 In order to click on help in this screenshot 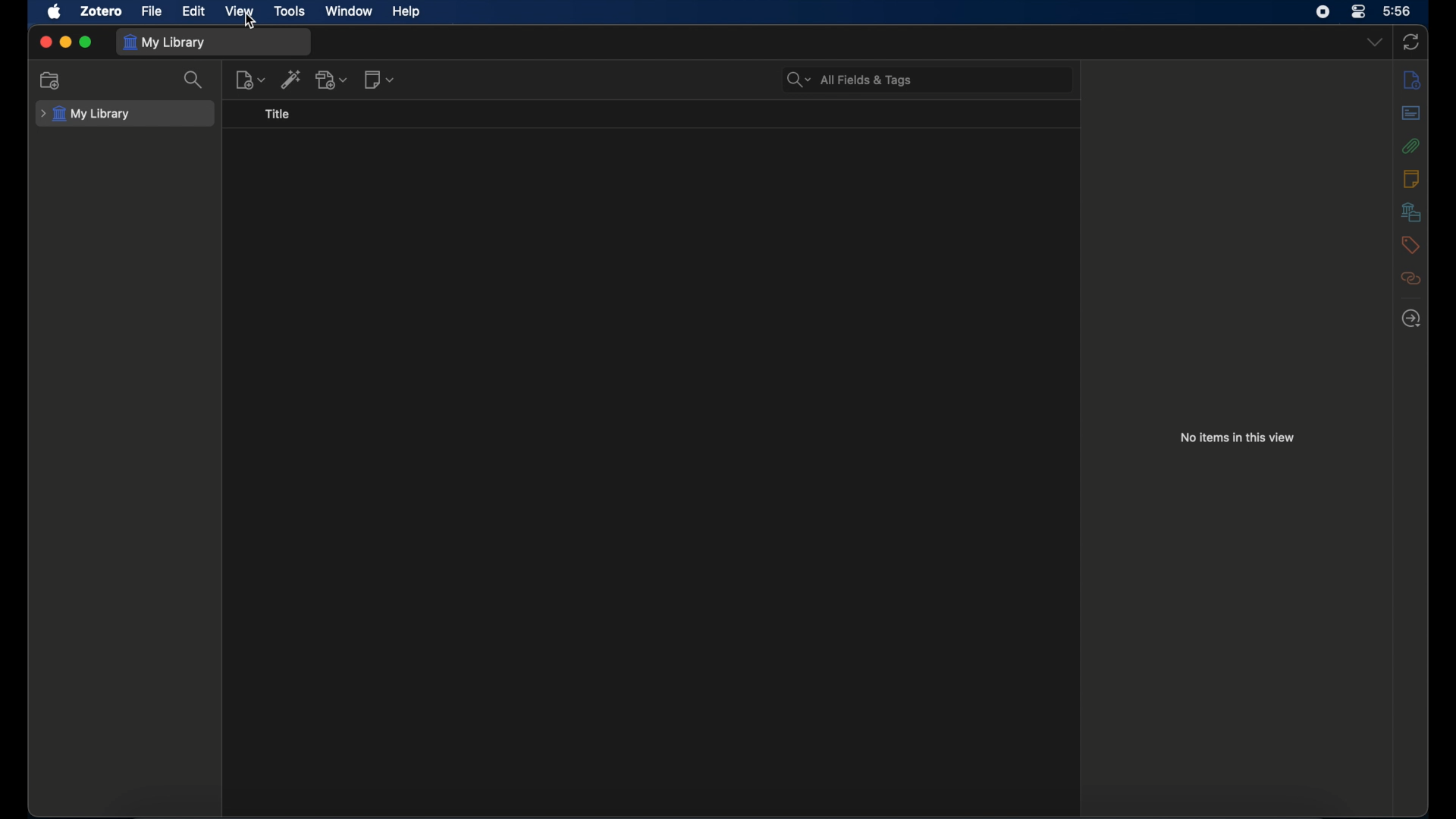, I will do `click(406, 12)`.